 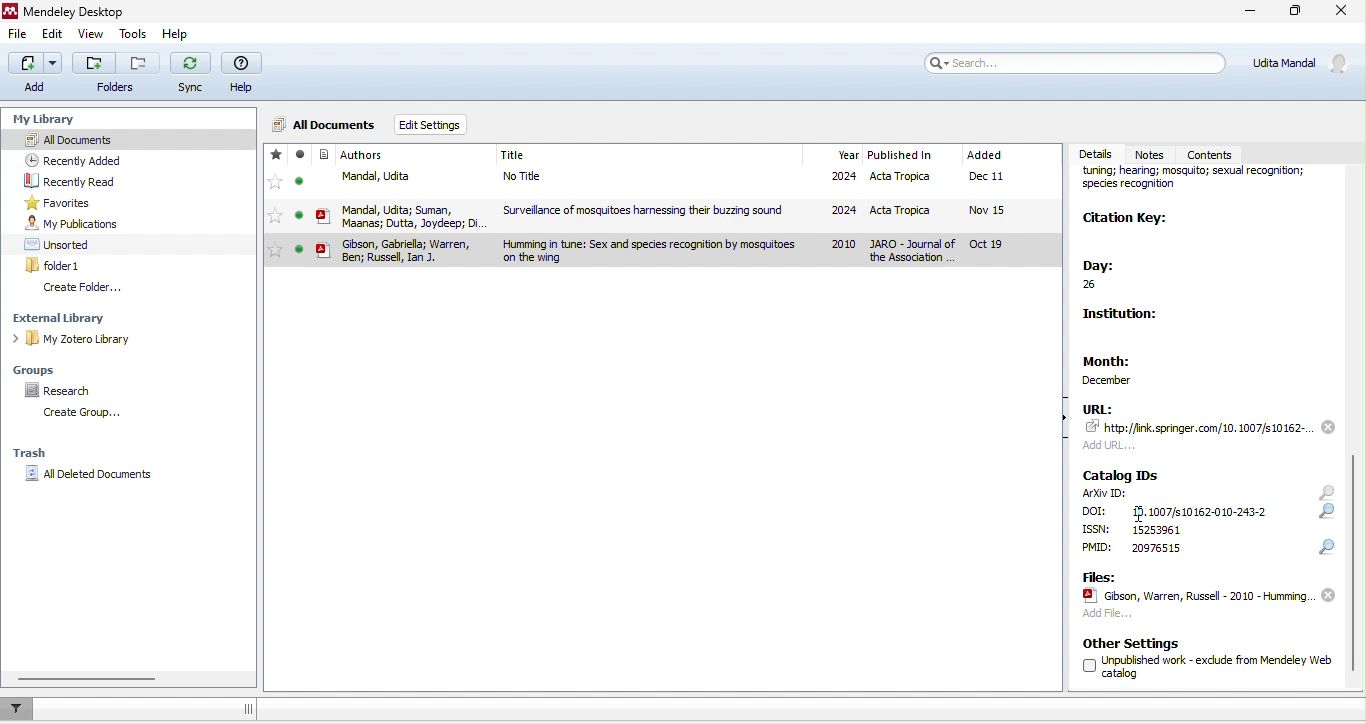 I want to click on journal name, so click(x=1203, y=184).